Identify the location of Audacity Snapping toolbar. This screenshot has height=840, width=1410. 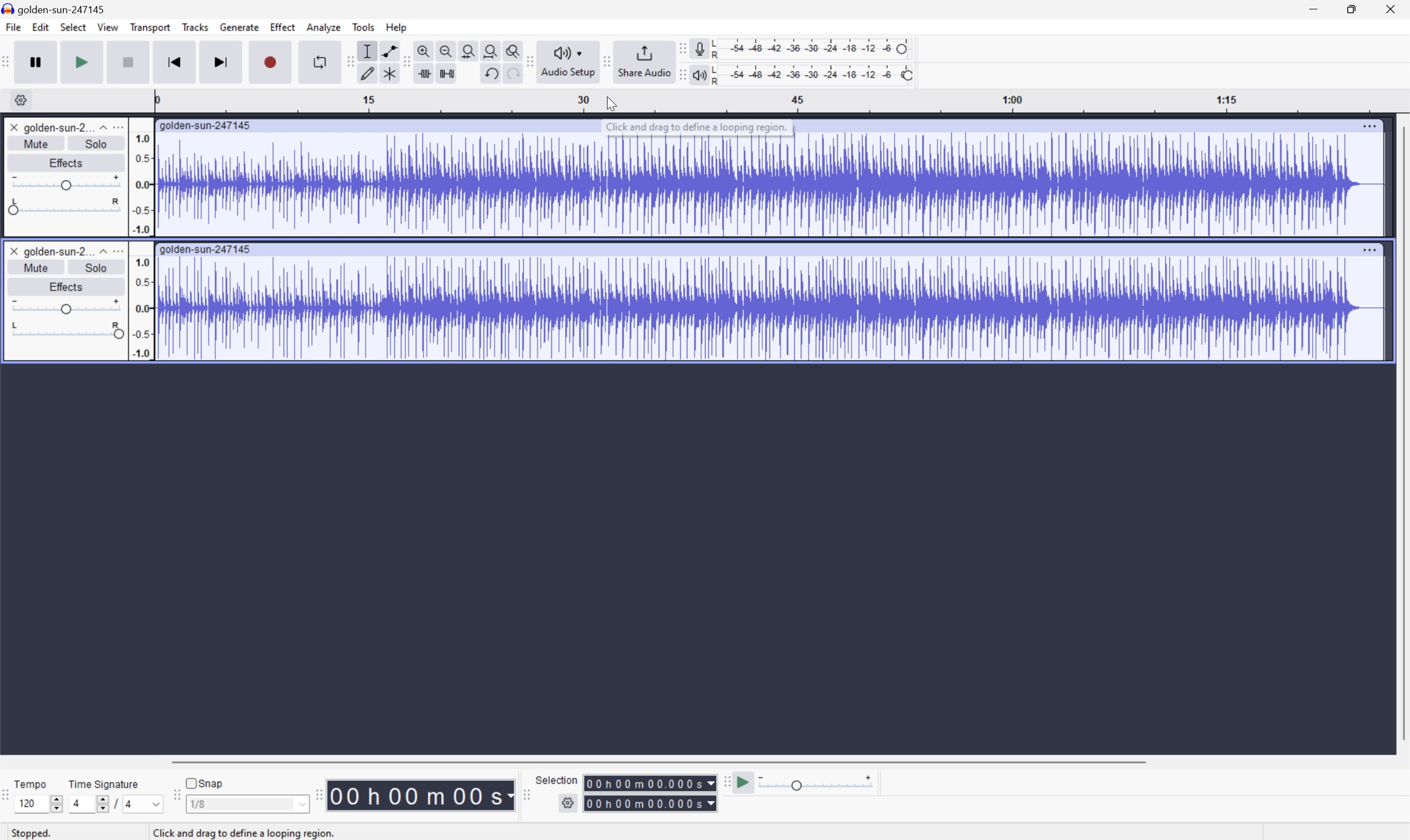
(179, 793).